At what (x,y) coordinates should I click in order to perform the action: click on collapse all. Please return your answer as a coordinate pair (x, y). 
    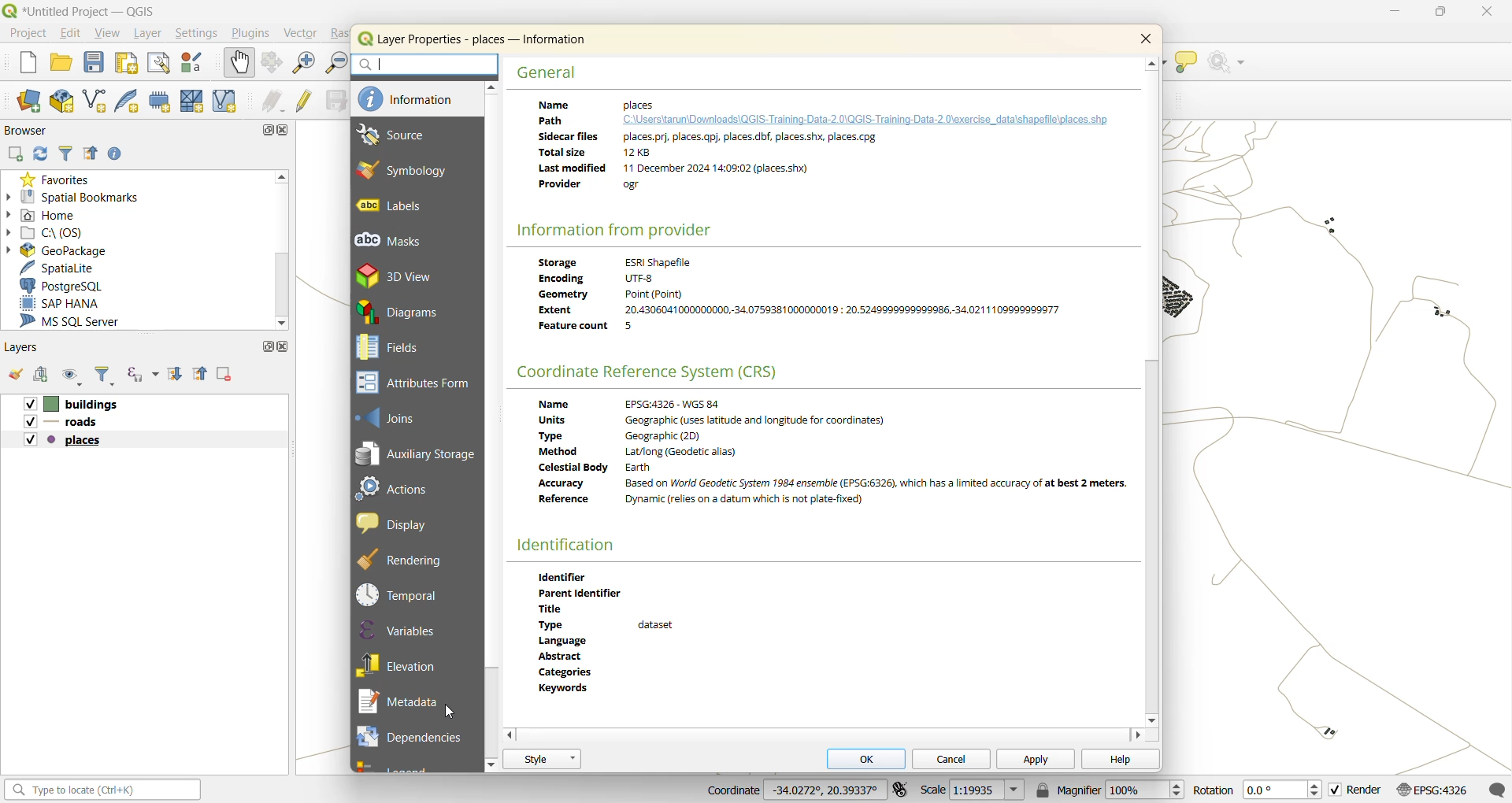
    Looking at the image, I should click on (202, 376).